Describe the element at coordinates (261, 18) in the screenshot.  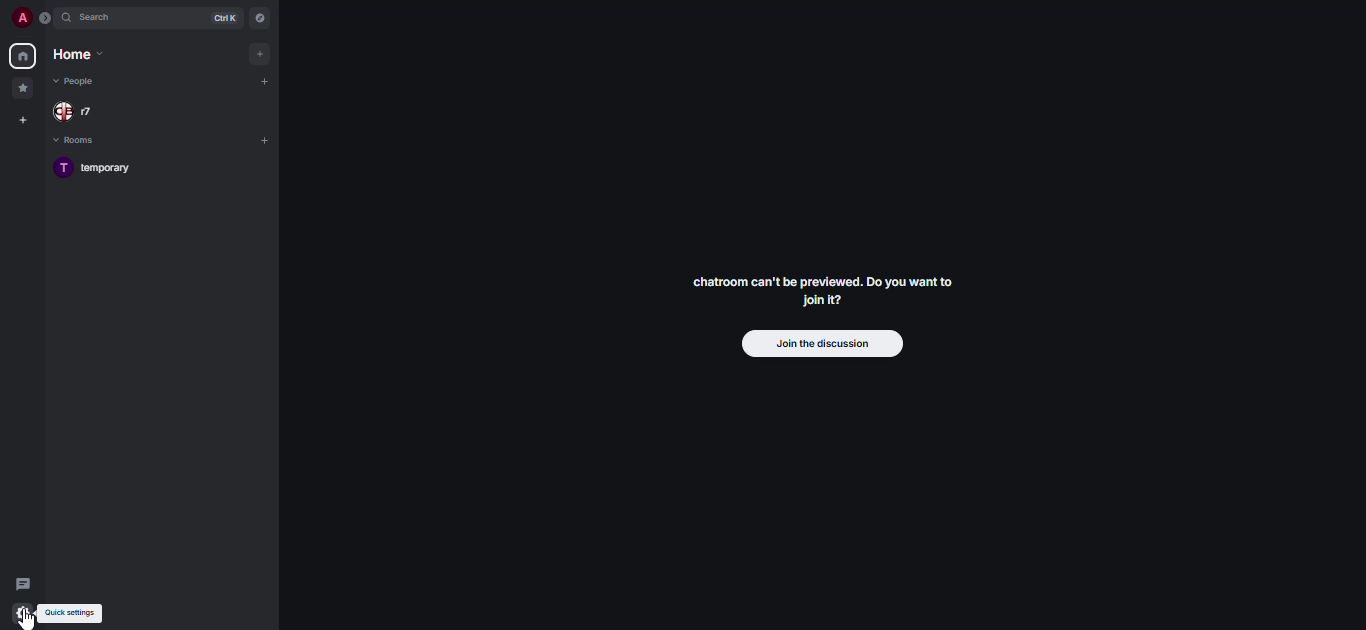
I see `navigator` at that location.